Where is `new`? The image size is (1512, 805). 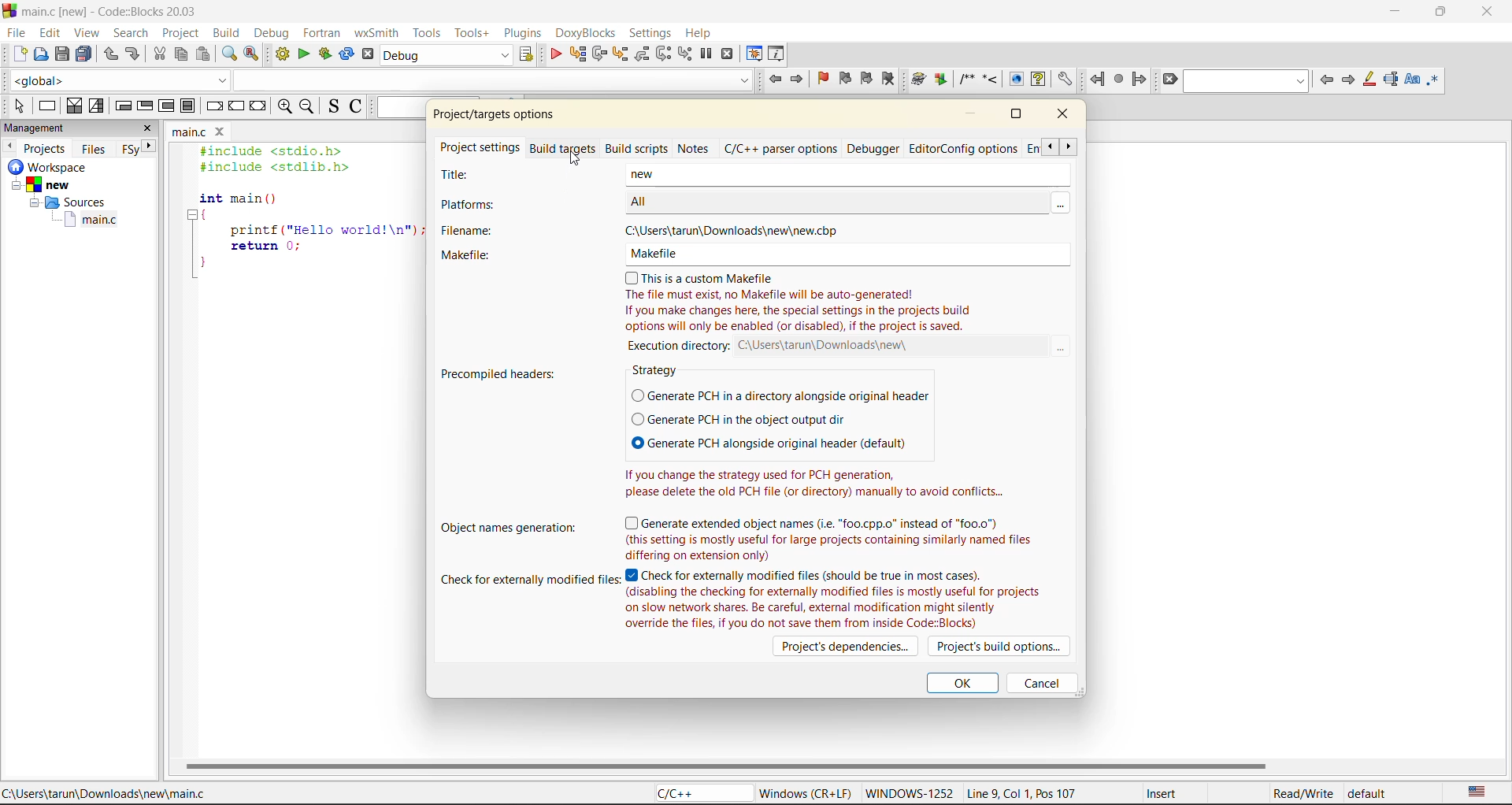 new is located at coordinates (19, 54).